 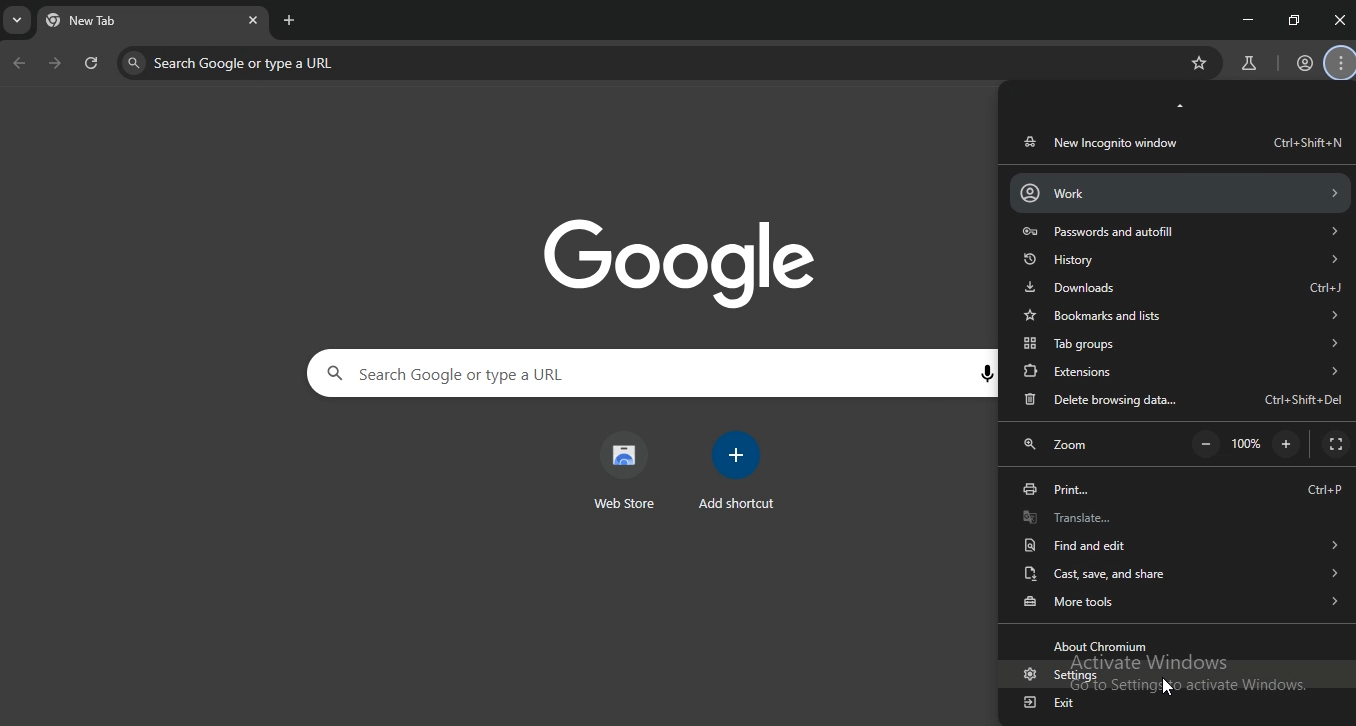 What do you see at coordinates (625, 471) in the screenshot?
I see `web store` at bounding box center [625, 471].